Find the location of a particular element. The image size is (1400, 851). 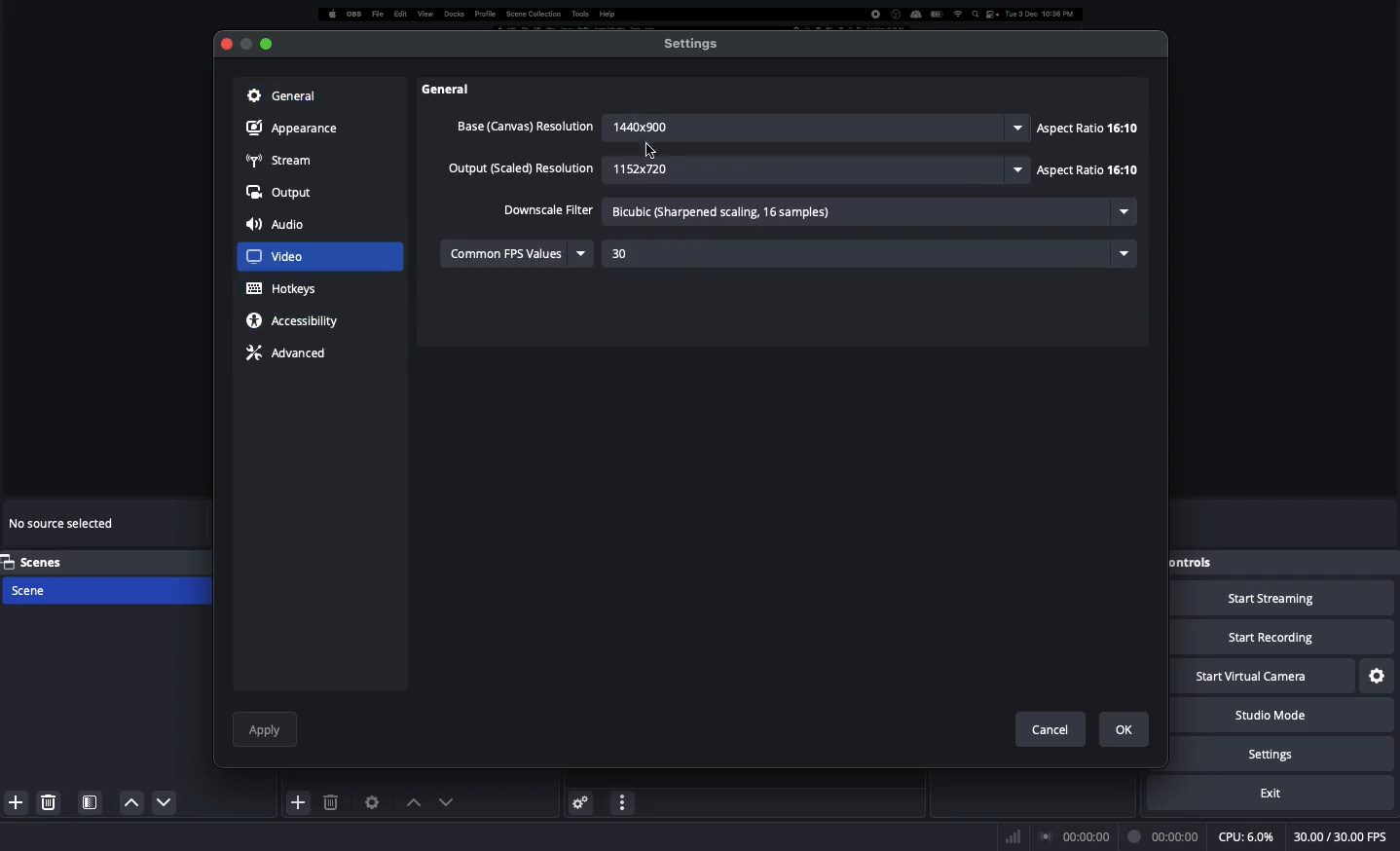

30 is located at coordinates (869, 252).